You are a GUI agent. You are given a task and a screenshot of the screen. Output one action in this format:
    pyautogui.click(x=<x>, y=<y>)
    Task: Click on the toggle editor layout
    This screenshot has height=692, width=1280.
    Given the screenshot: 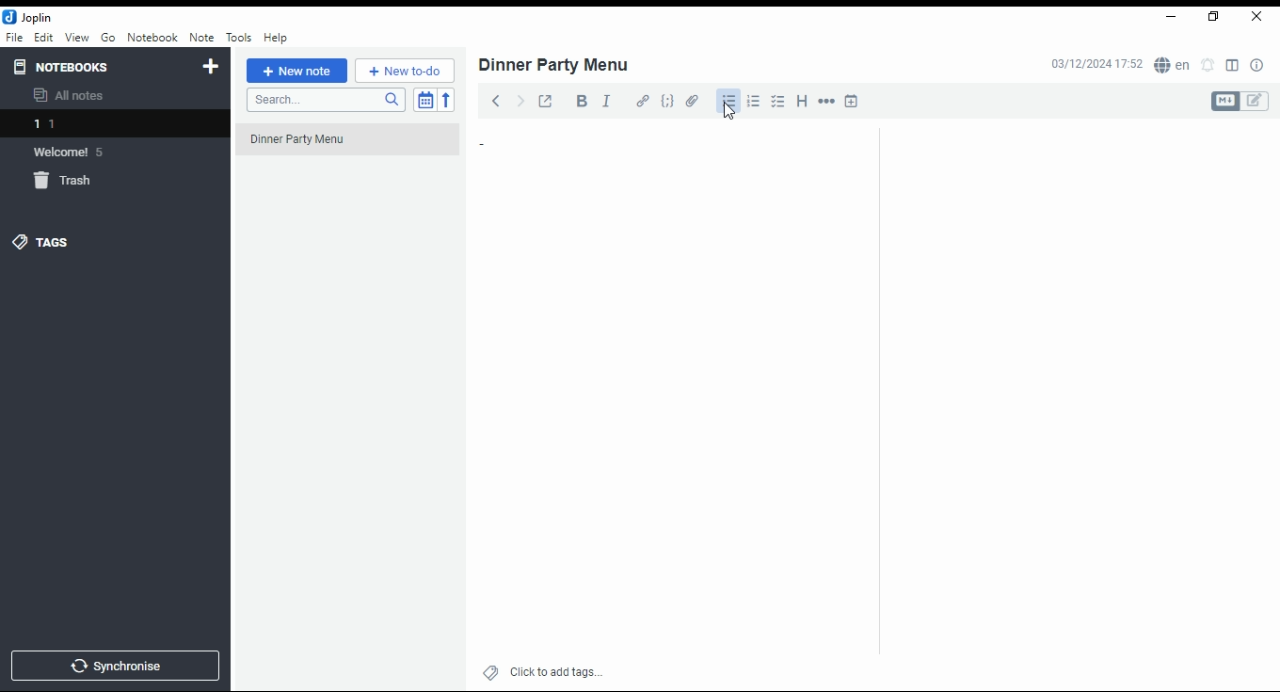 What is the action you would take?
    pyautogui.click(x=1232, y=66)
    